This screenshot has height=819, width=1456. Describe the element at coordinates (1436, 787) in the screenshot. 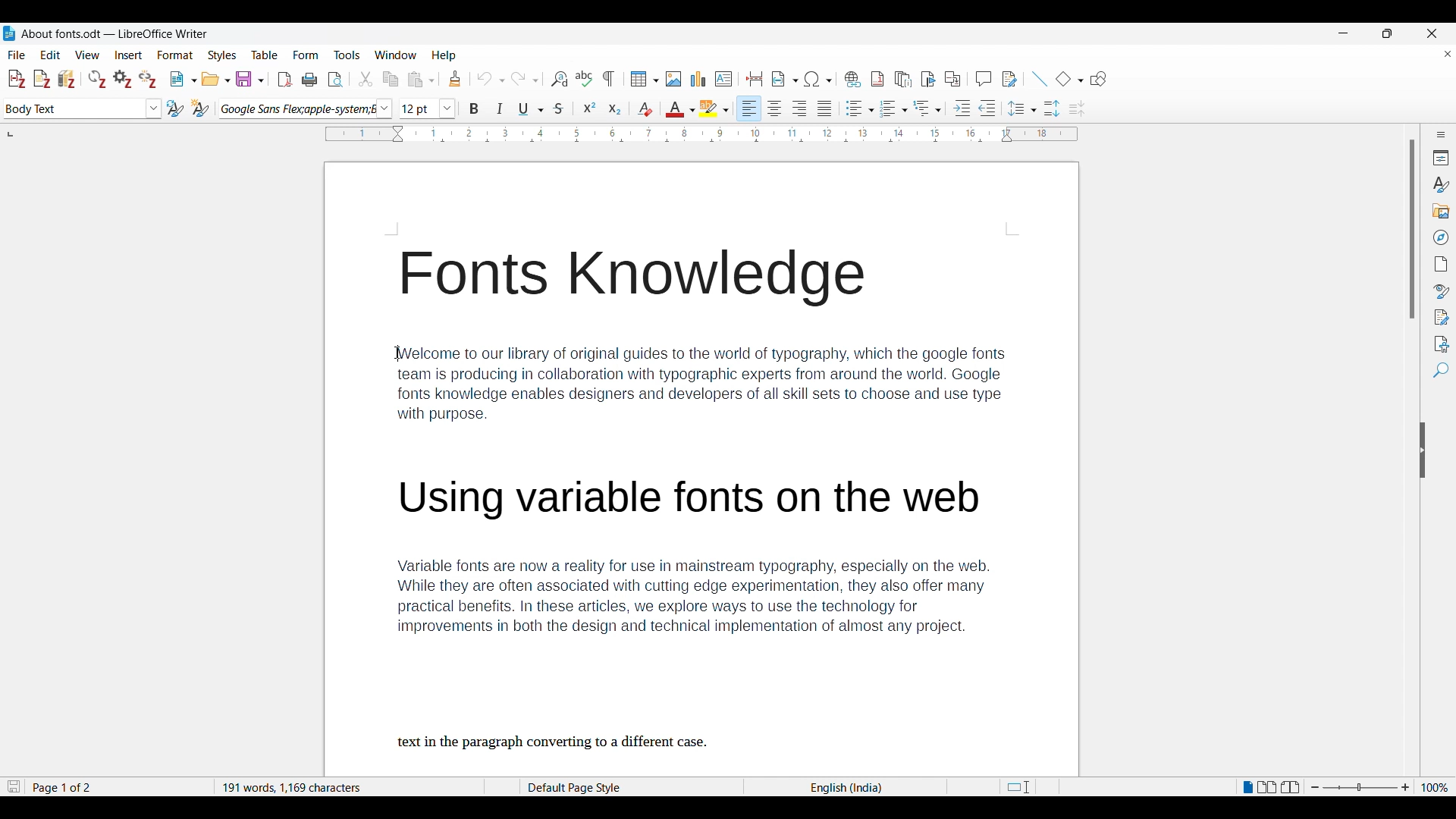

I see `Current zoom factor` at that location.